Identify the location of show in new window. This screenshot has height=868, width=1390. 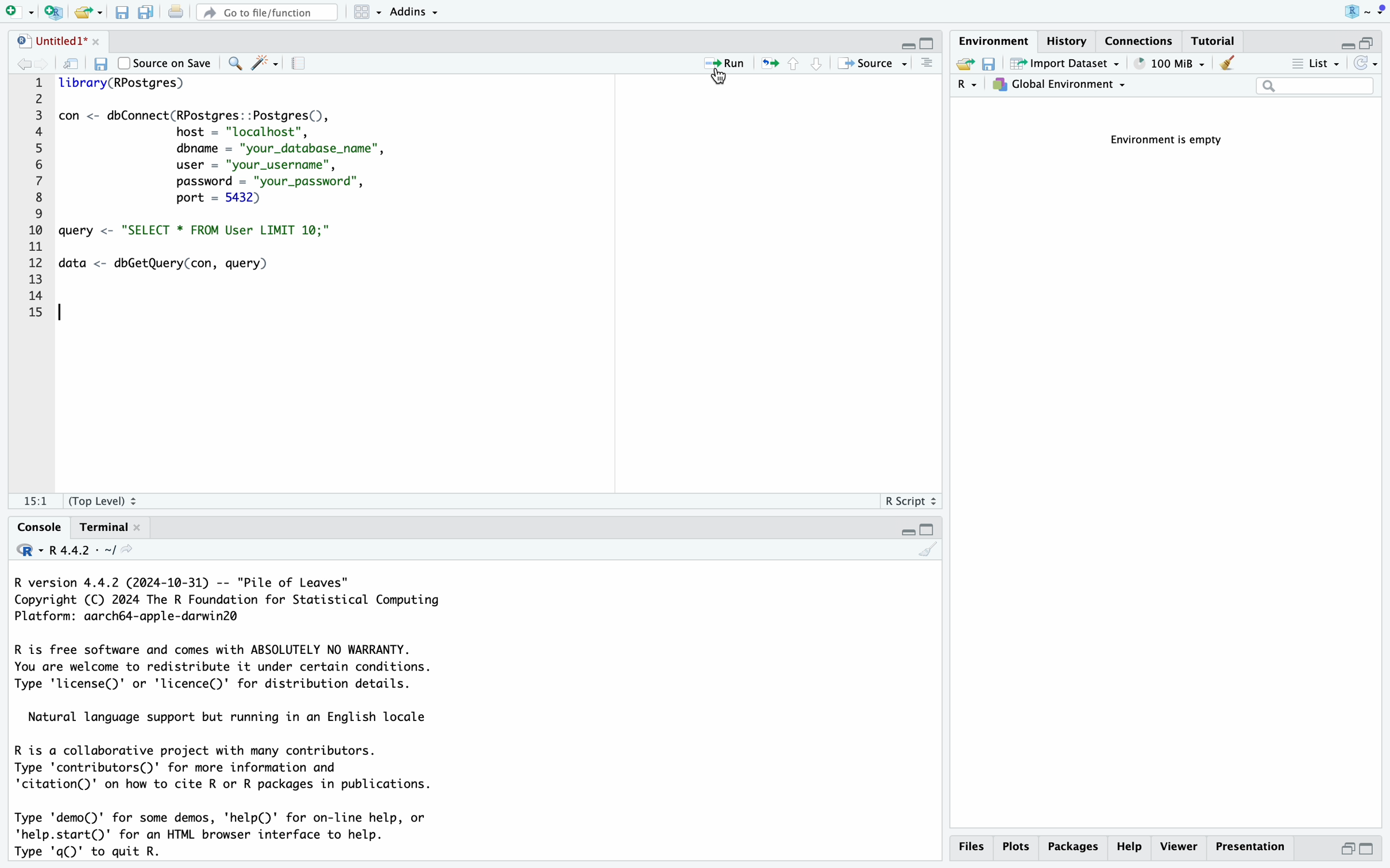
(72, 64).